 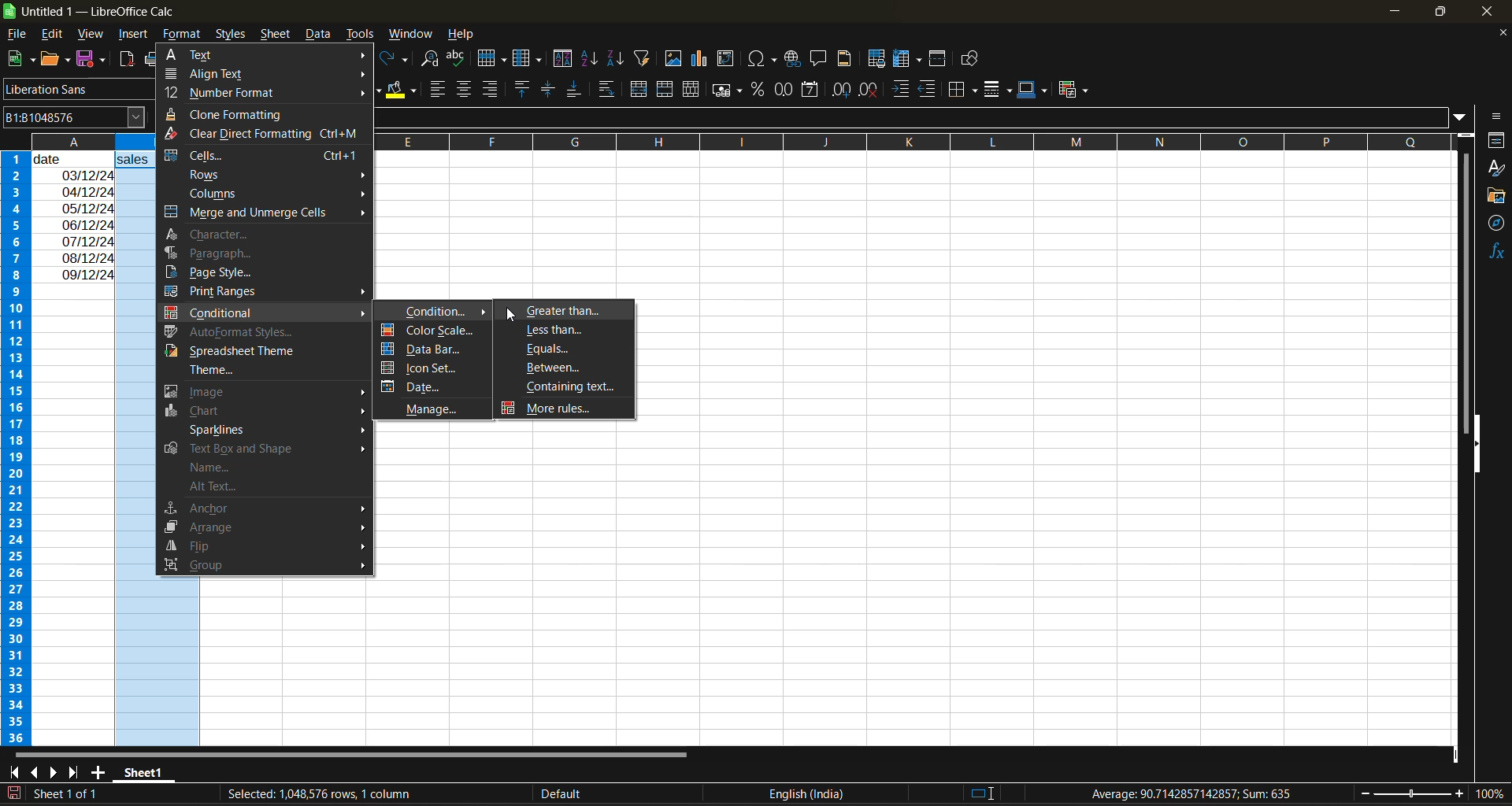 I want to click on delete decimal place, so click(x=869, y=91).